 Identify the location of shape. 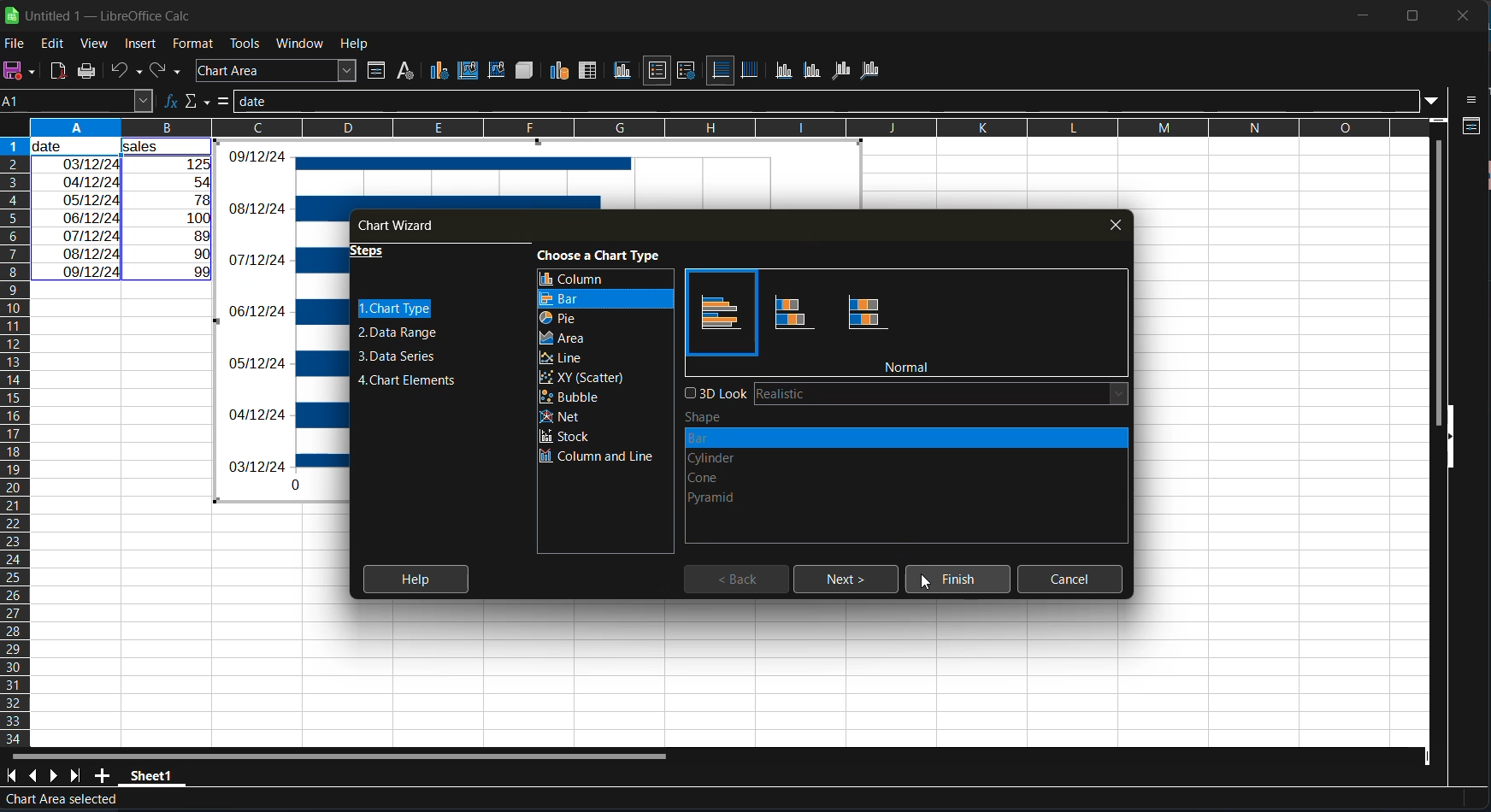
(712, 417).